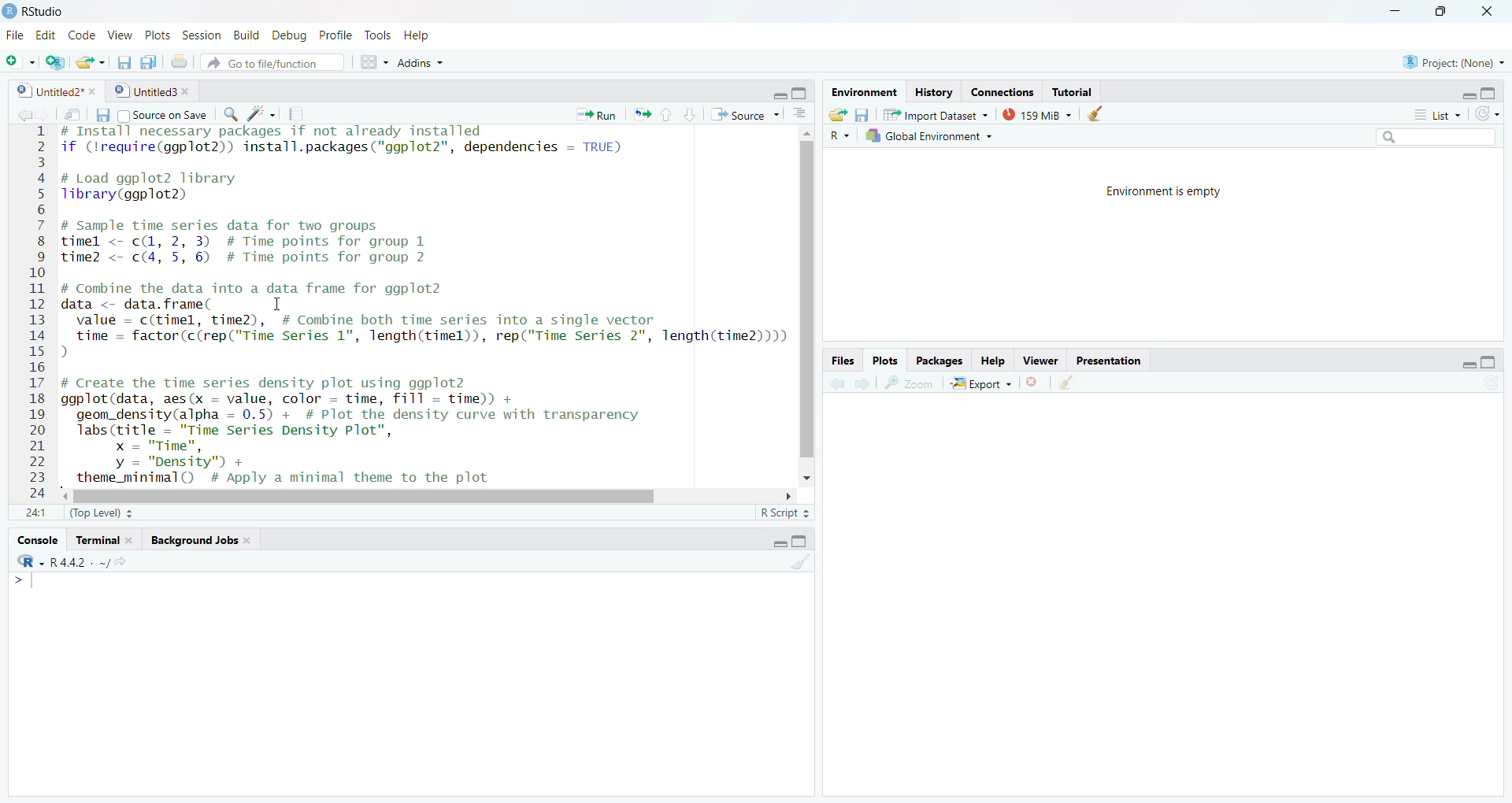 Image resolution: width=1512 pixels, height=803 pixels. What do you see at coordinates (24, 582) in the screenshot?
I see `Typing Indicator` at bounding box center [24, 582].